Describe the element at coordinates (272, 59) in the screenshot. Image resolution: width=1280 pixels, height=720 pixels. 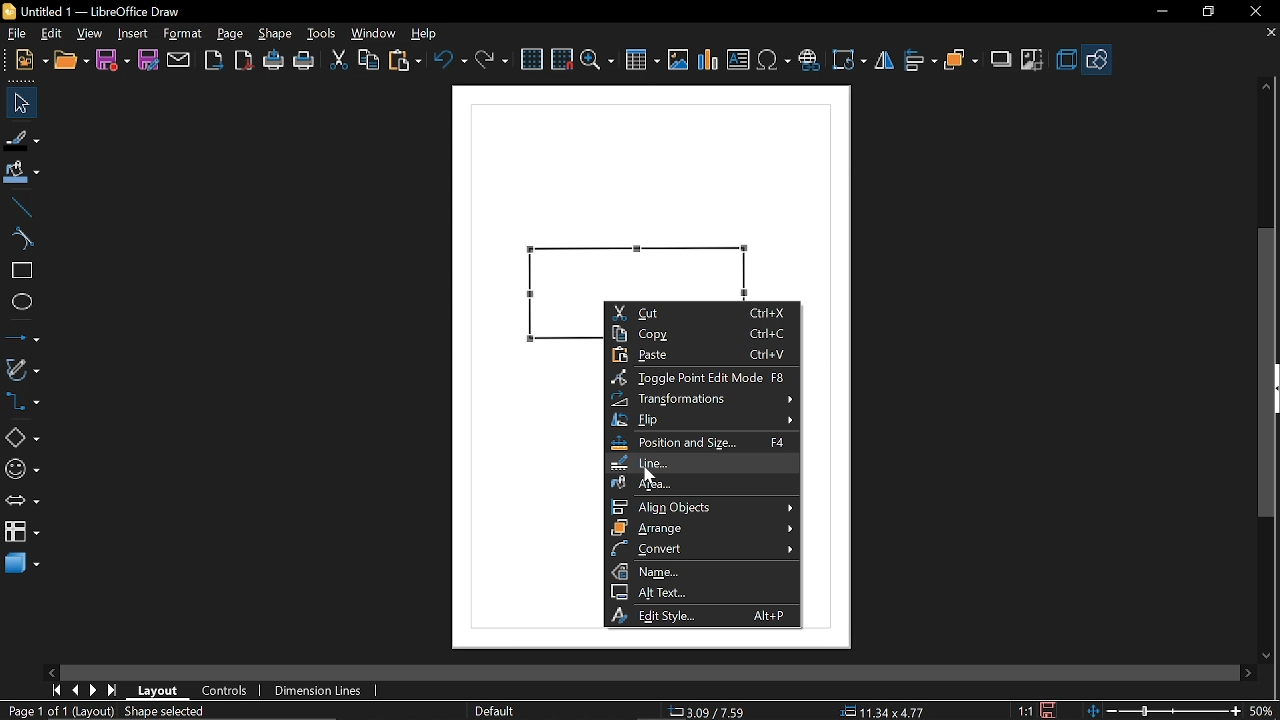
I see `print directly` at that location.